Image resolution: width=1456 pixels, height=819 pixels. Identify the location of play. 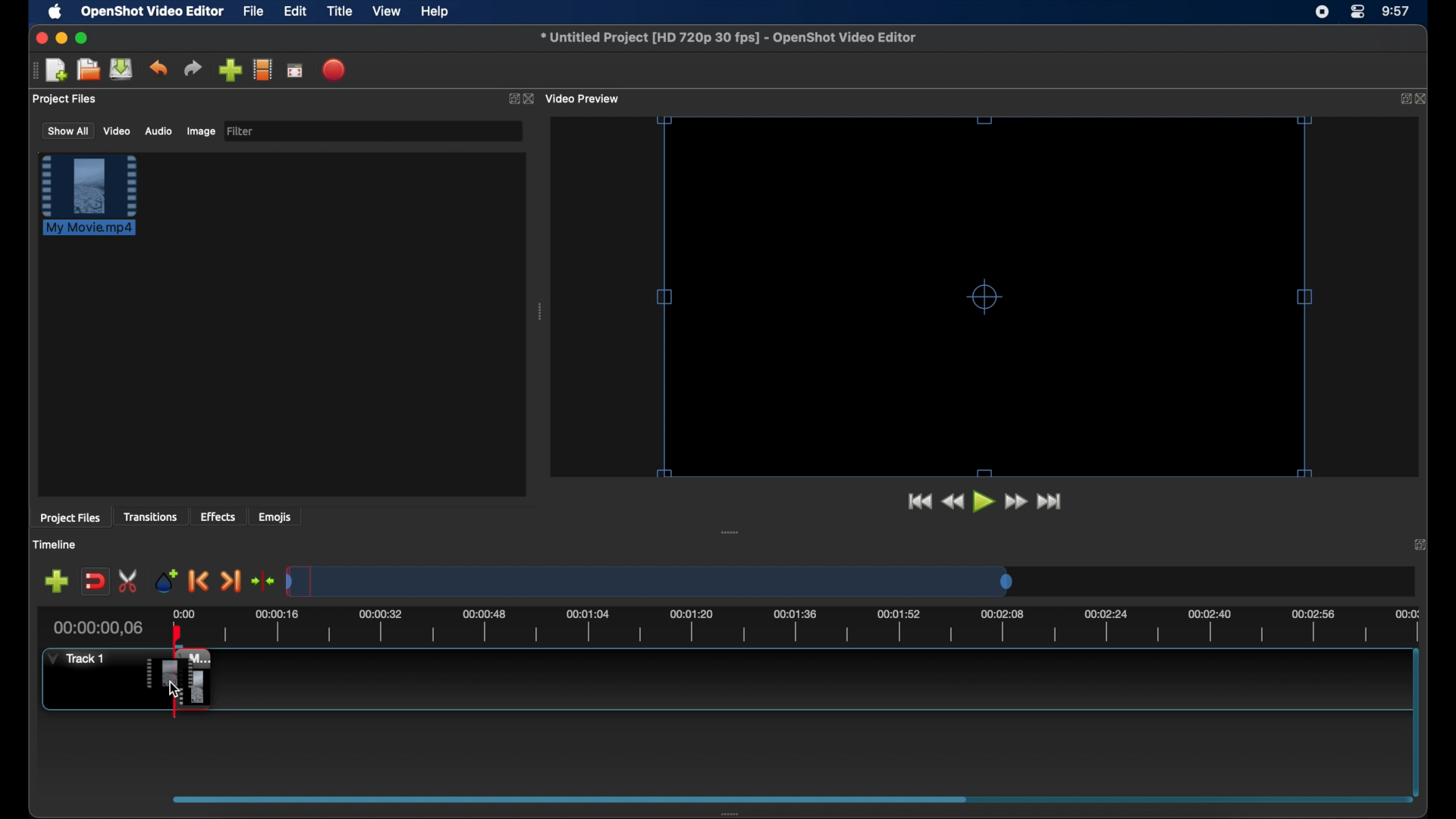
(984, 502).